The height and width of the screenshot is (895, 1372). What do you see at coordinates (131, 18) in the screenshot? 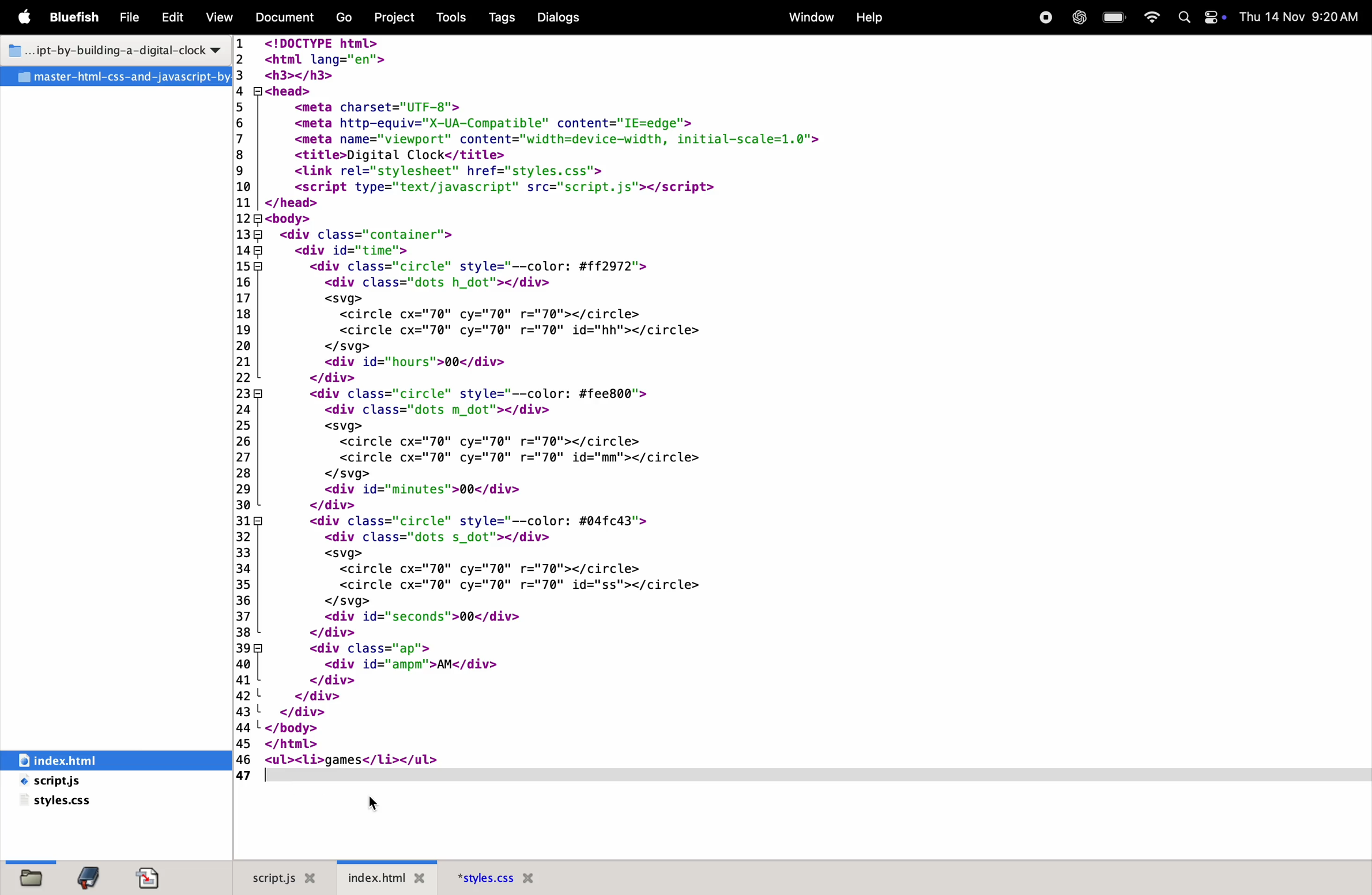
I see `File` at bounding box center [131, 18].